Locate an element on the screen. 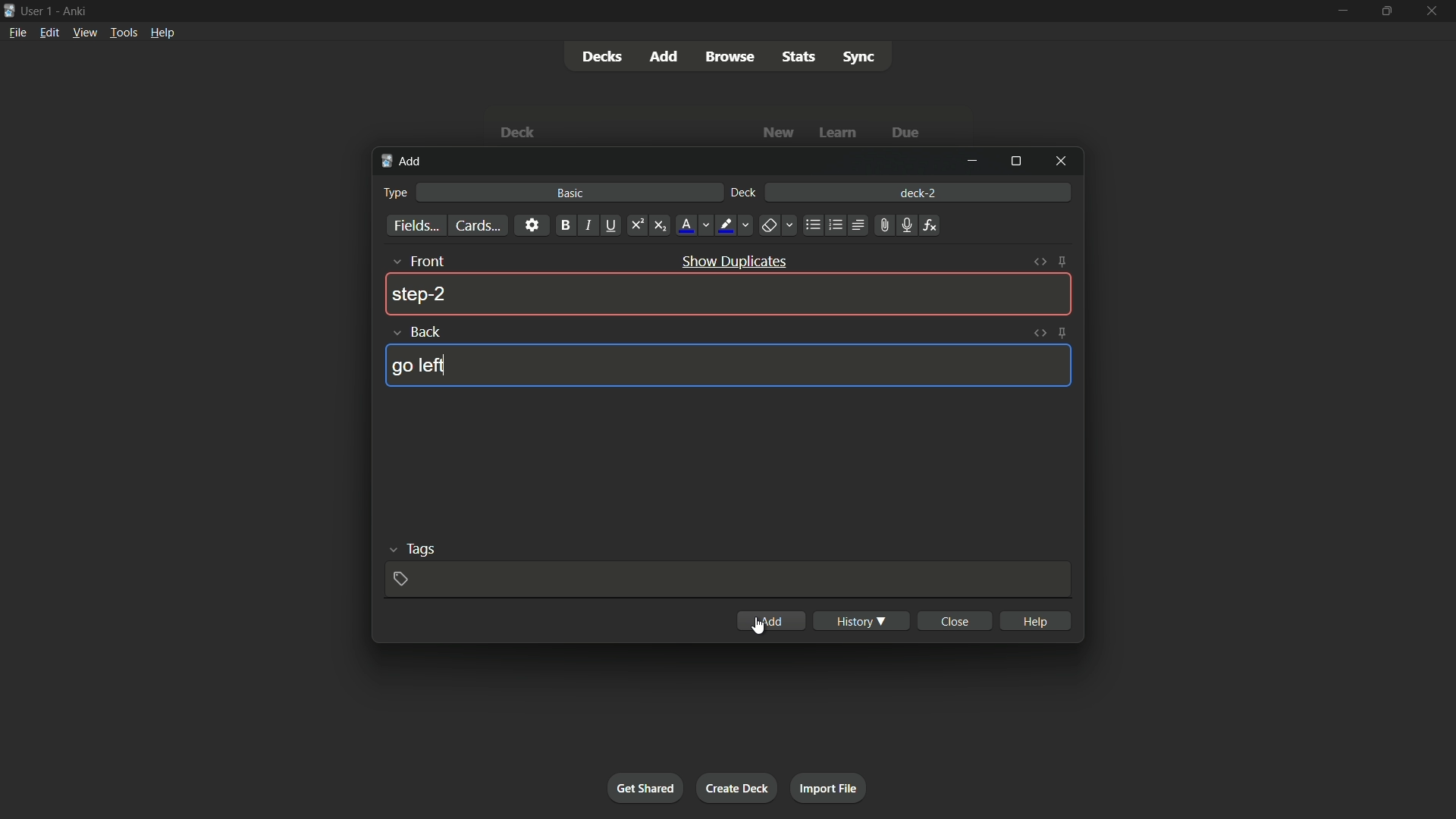 This screenshot has width=1456, height=819. deck is located at coordinates (745, 193).